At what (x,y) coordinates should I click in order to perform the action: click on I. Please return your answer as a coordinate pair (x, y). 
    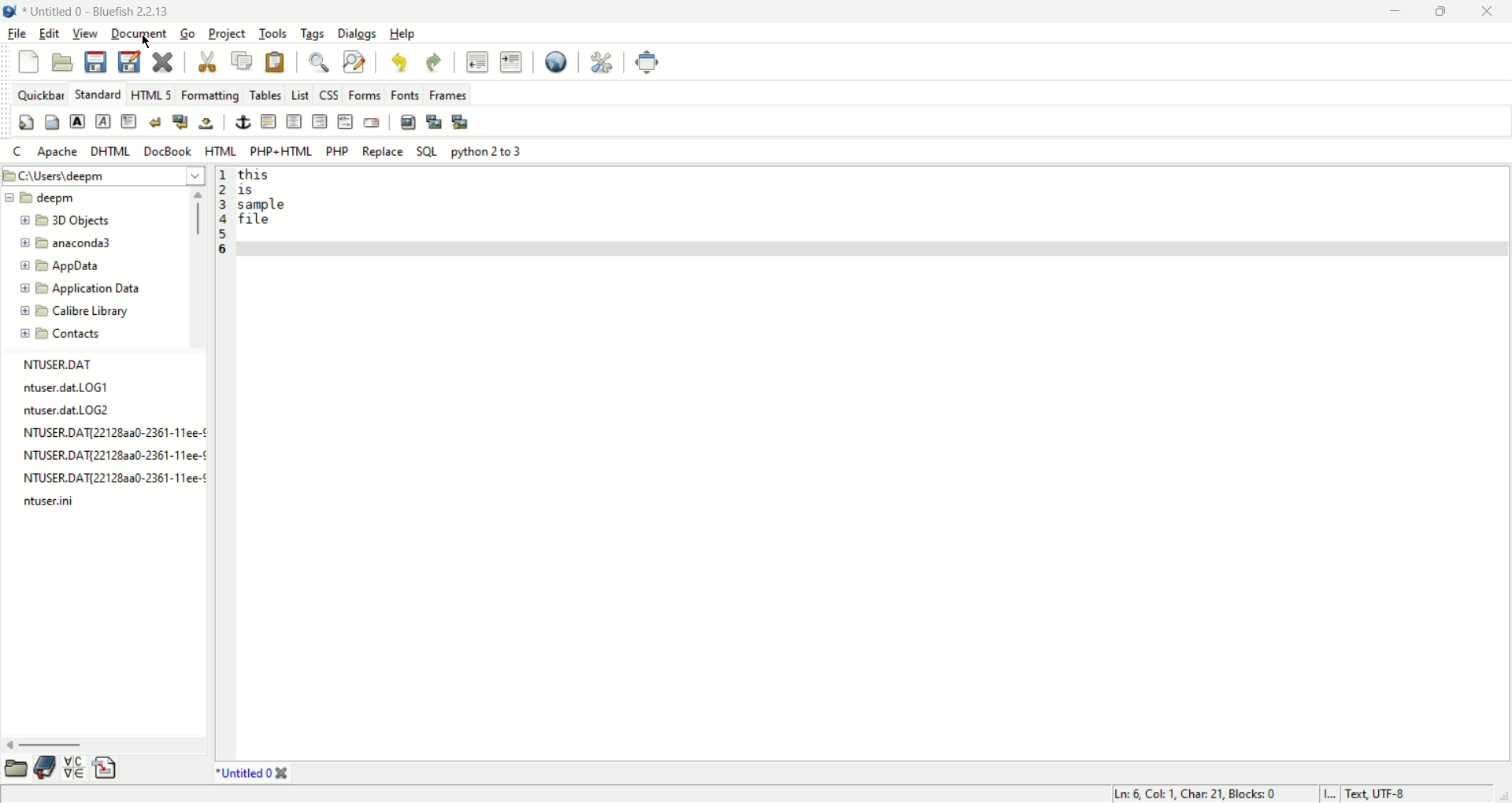
    Looking at the image, I should click on (1333, 794).